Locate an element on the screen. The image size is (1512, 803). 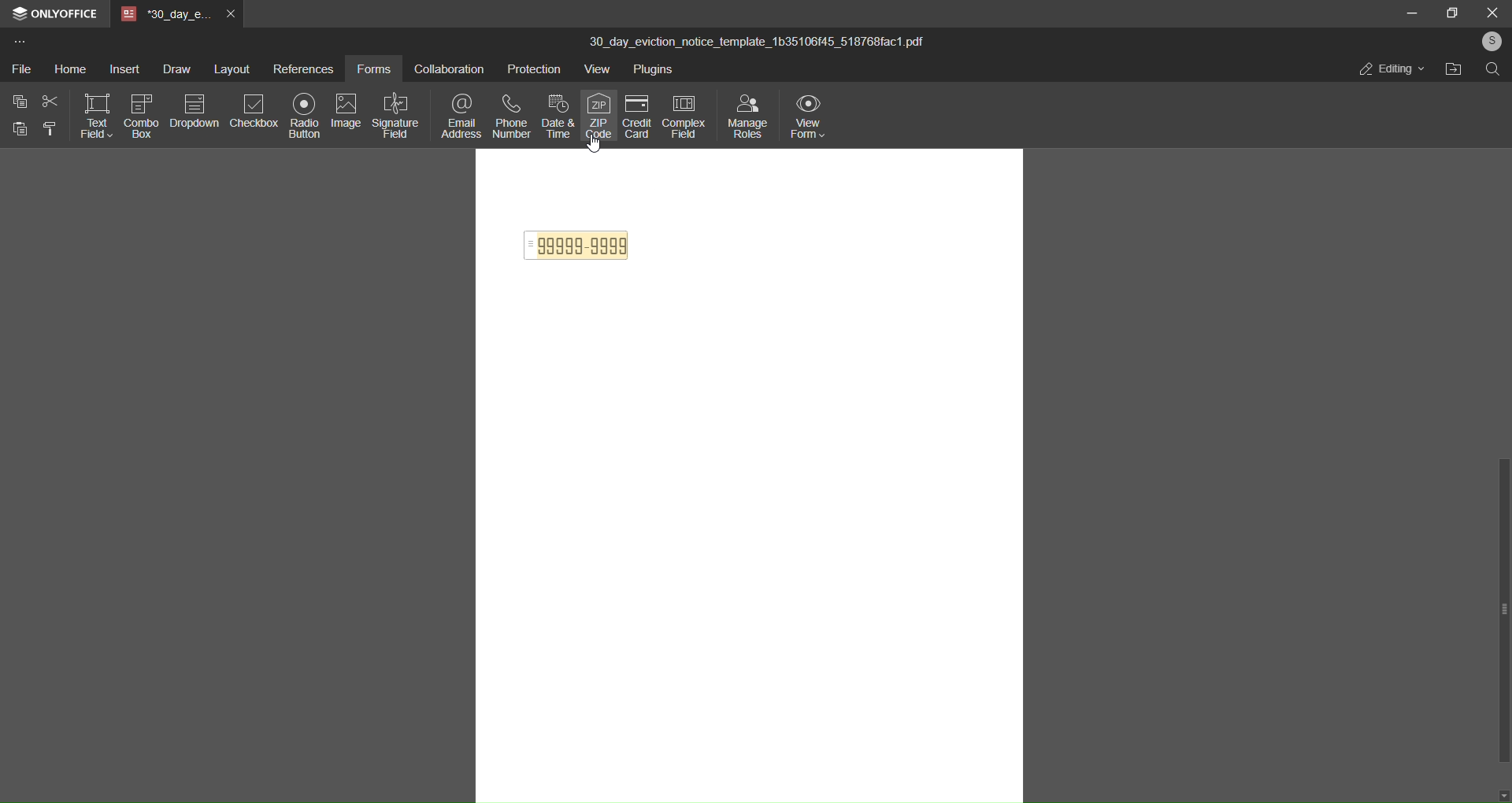
collaboration is located at coordinates (445, 68).